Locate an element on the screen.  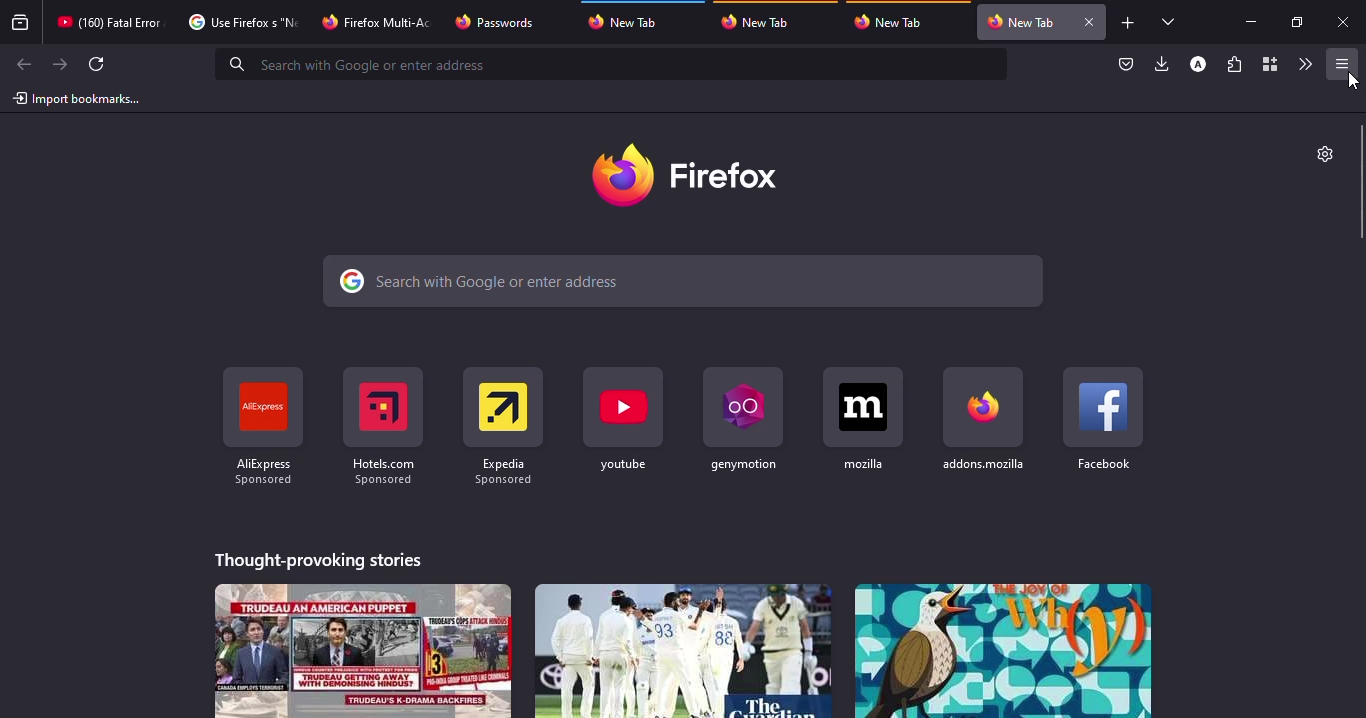
tab is located at coordinates (1021, 22).